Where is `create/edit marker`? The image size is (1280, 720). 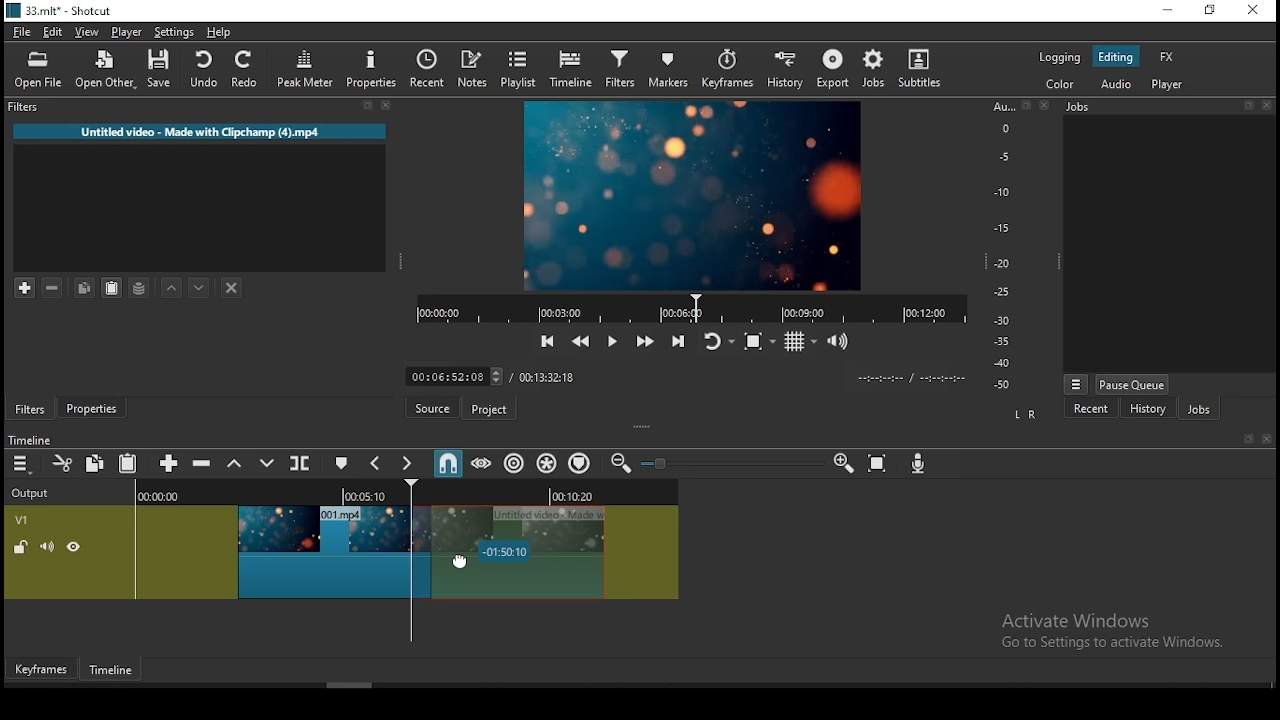 create/edit marker is located at coordinates (343, 465).